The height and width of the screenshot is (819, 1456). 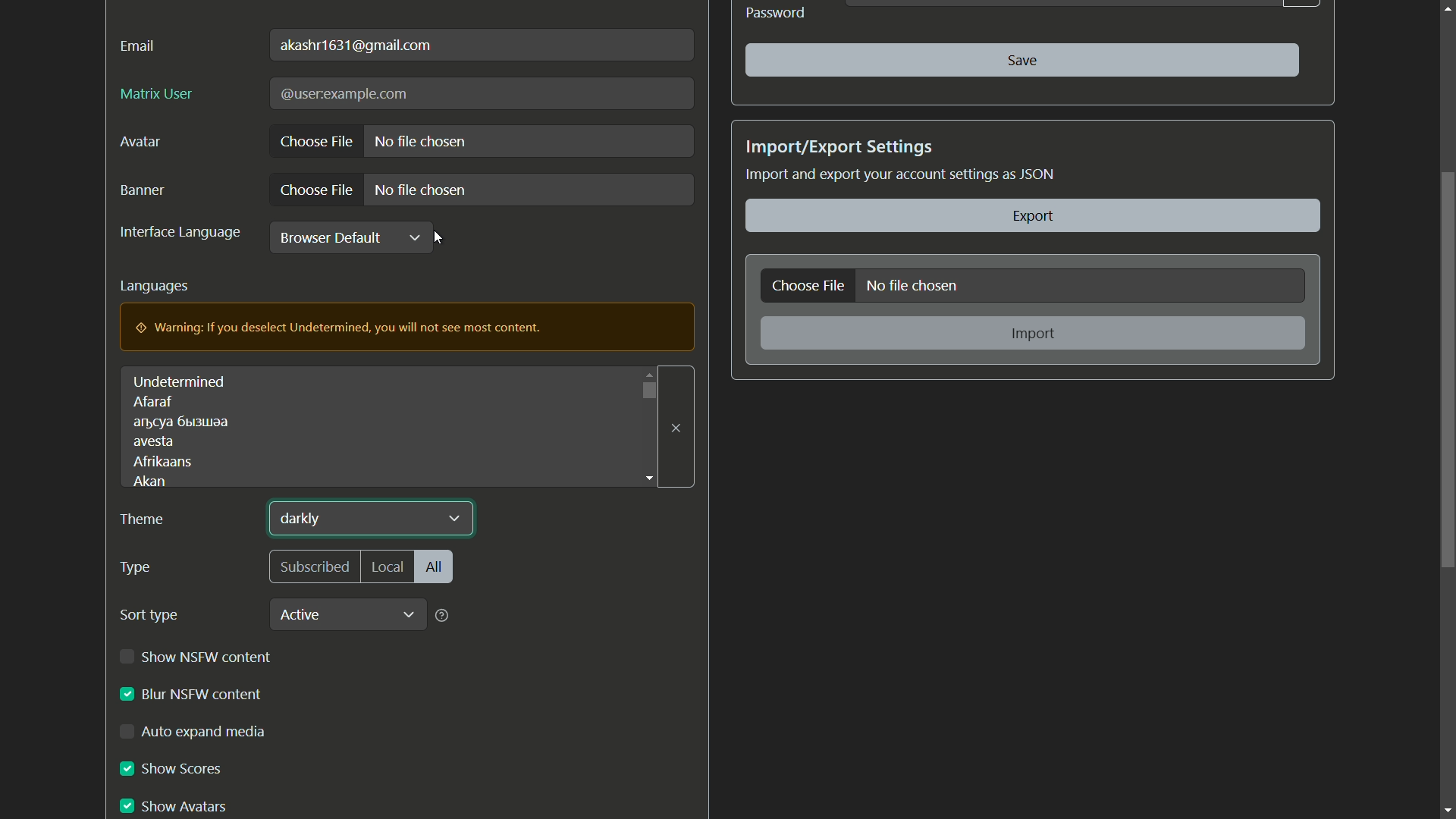 What do you see at coordinates (439, 237) in the screenshot?
I see `cursor` at bounding box center [439, 237].